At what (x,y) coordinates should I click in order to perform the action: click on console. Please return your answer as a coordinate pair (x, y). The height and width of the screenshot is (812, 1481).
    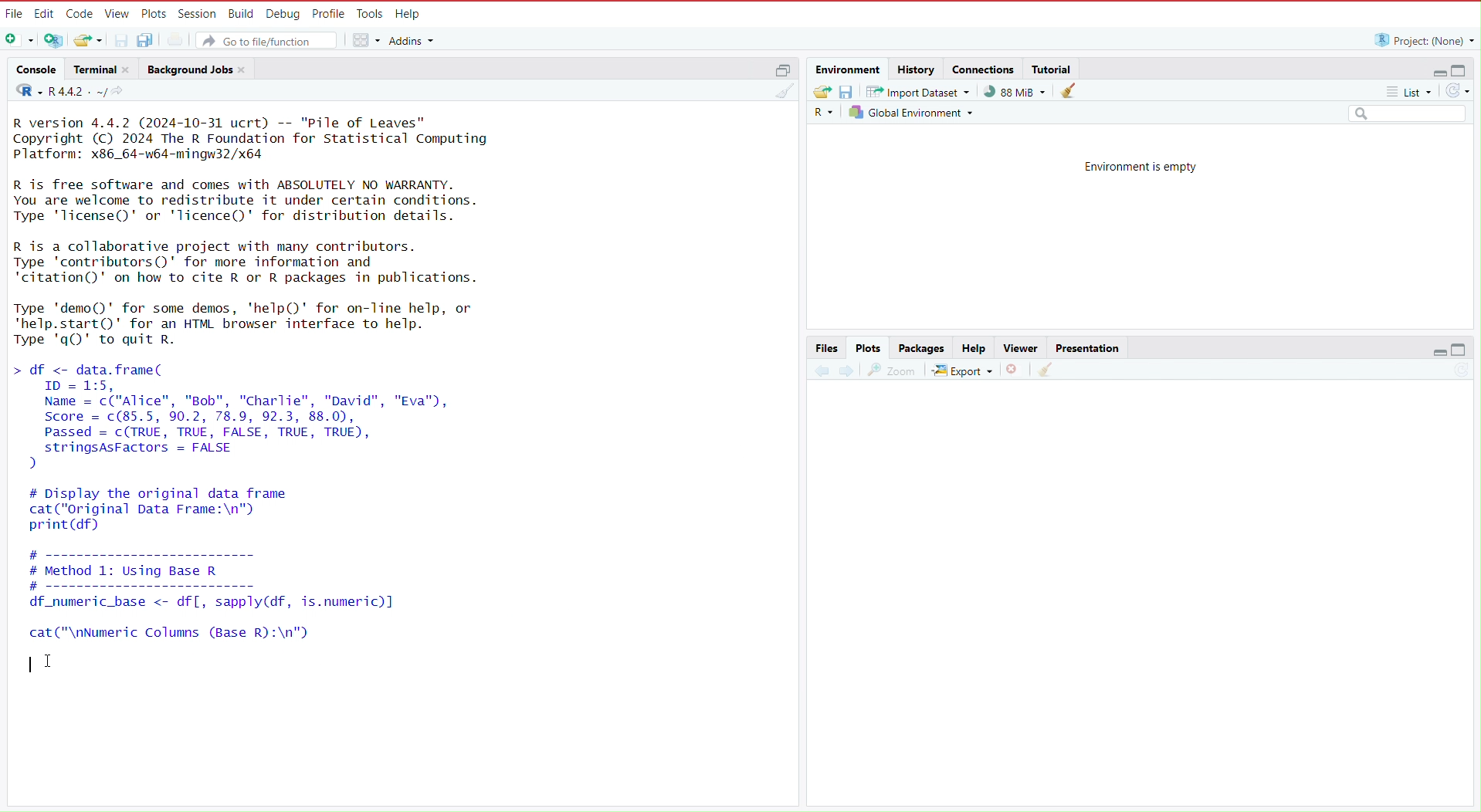
    Looking at the image, I should click on (32, 67).